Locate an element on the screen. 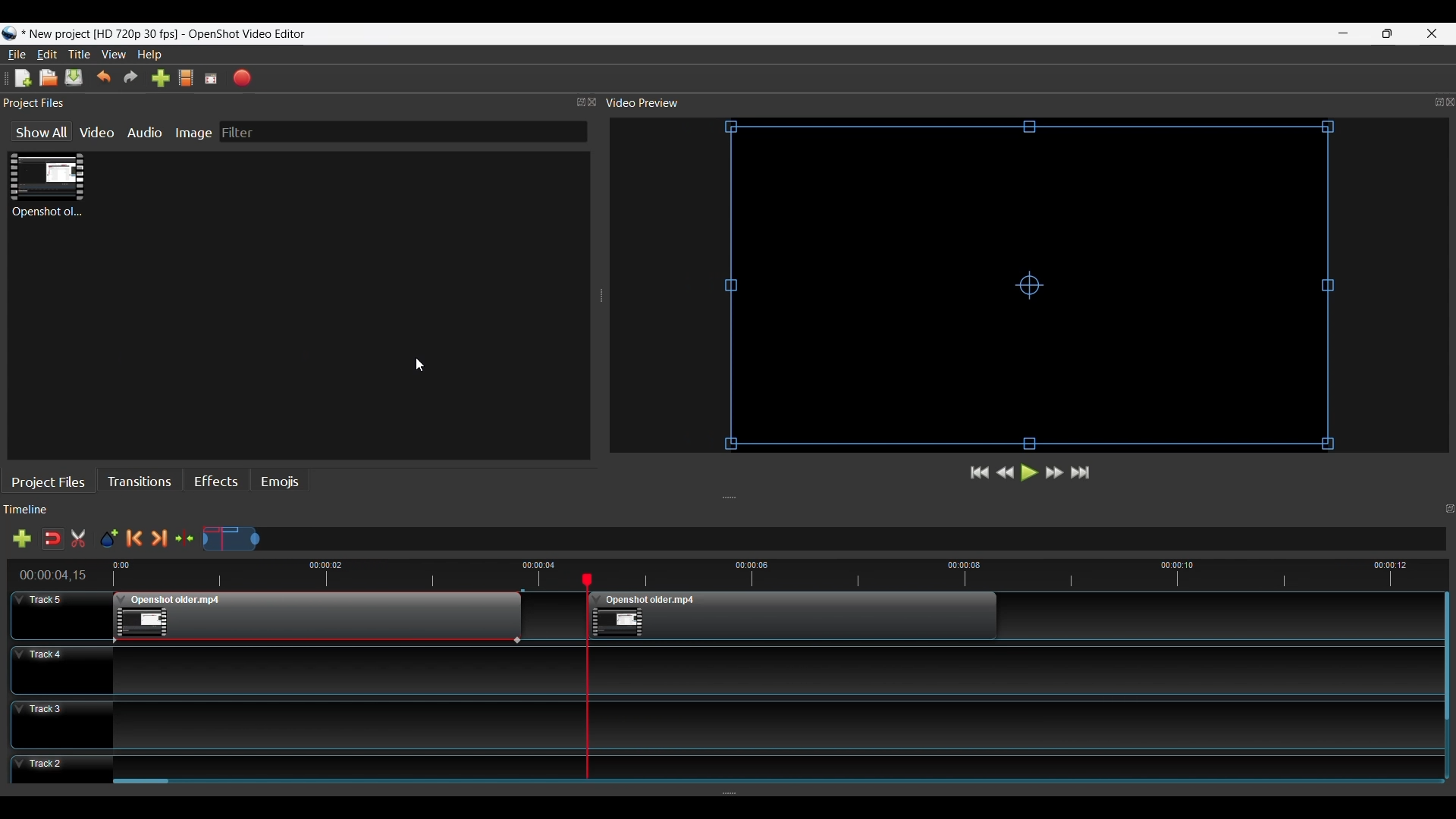 Image resolution: width=1456 pixels, height=819 pixels. Video Preview is located at coordinates (1029, 103).